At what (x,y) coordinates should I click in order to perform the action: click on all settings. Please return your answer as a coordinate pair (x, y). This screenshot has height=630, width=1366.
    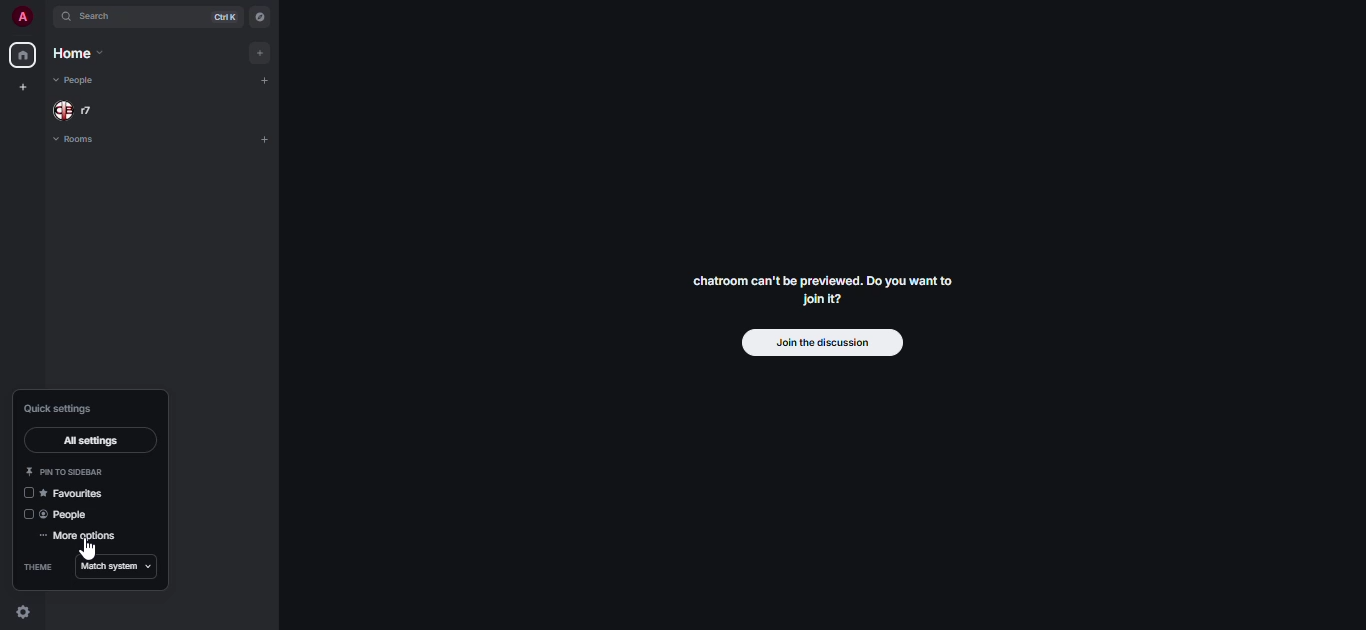
    Looking at the image, I should click on (90, 441).